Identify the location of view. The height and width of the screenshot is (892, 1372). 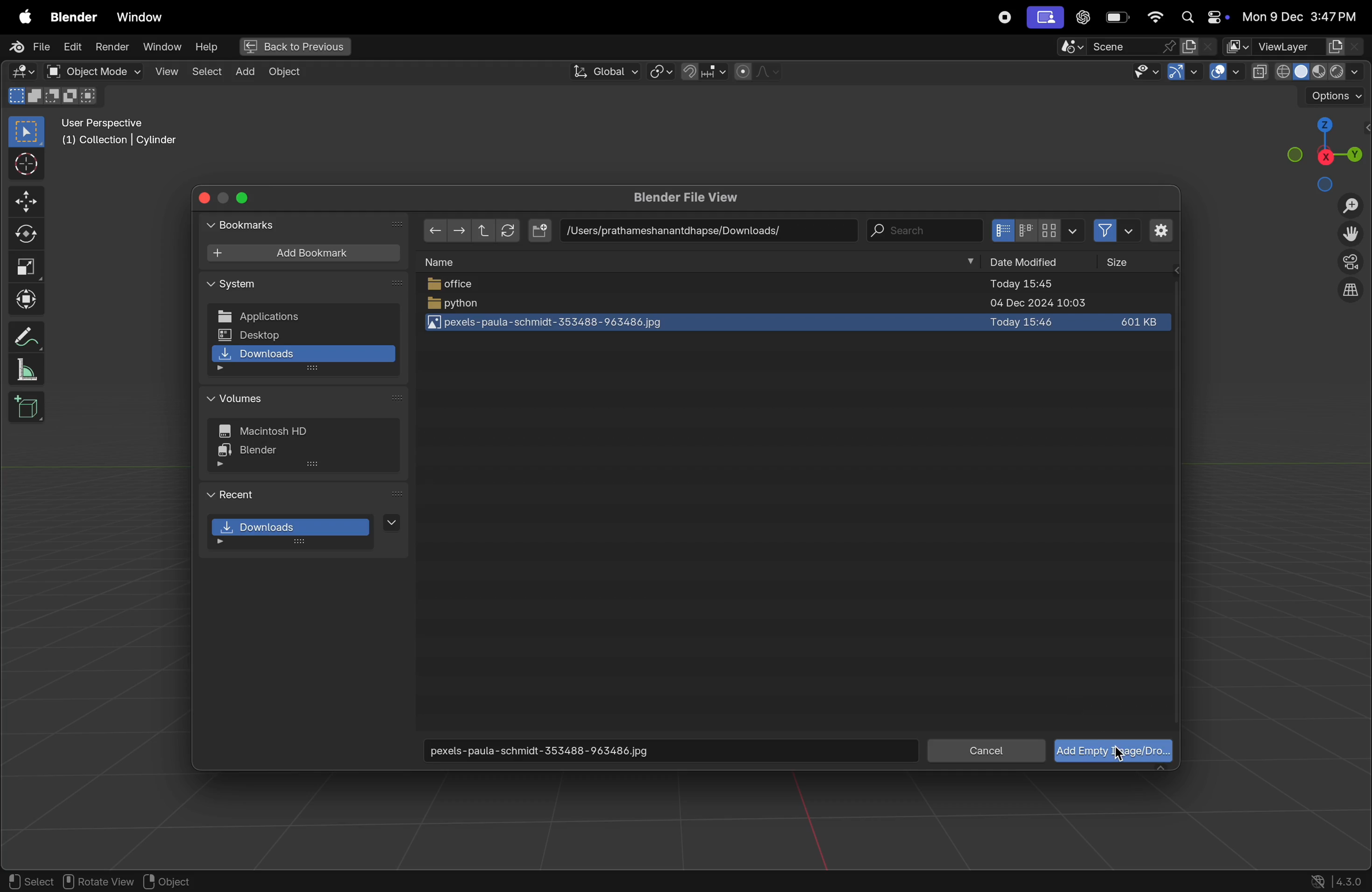
(164, 71).